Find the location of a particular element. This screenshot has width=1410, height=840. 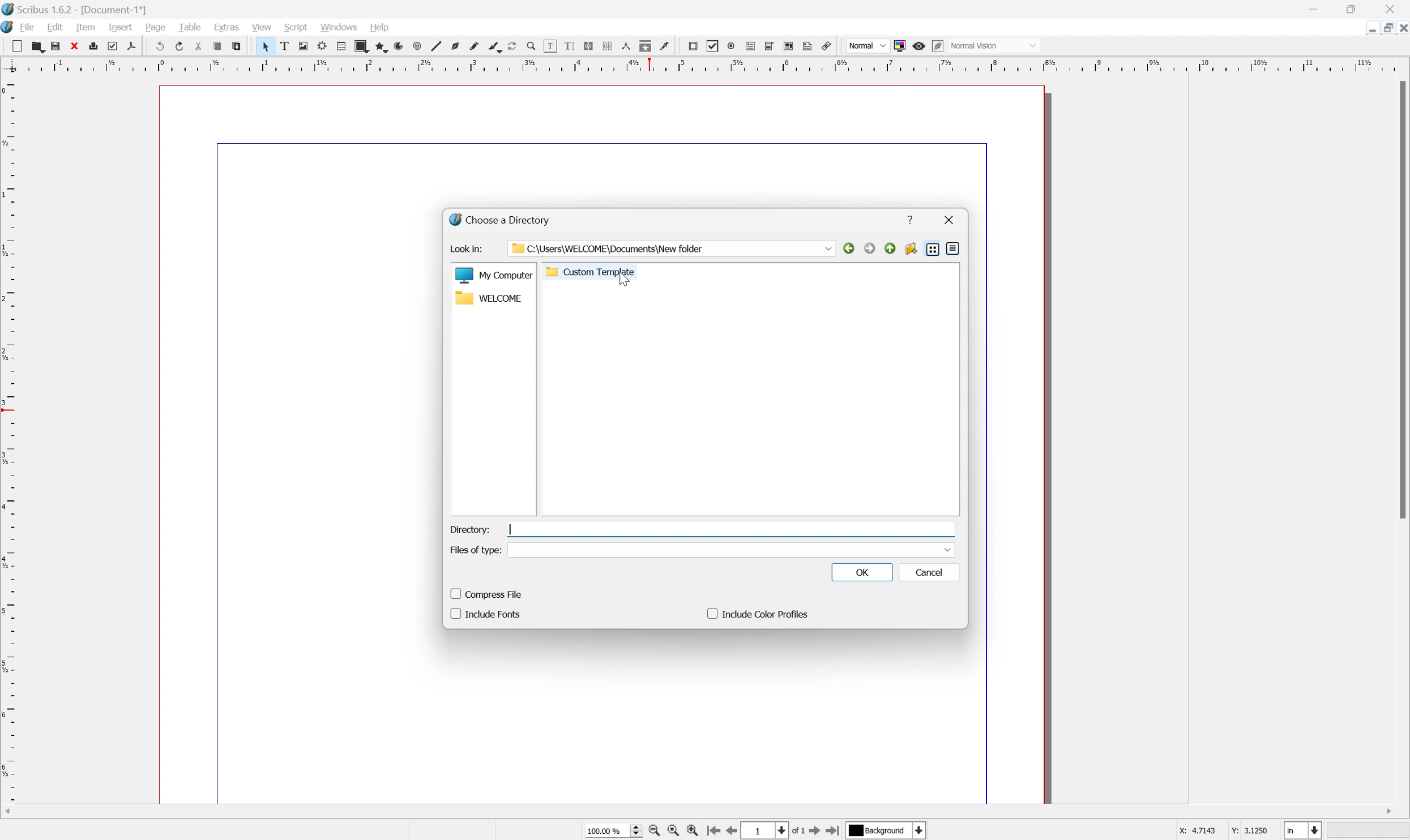

Zoom in or zoom out is located at coordinates (531, 47).